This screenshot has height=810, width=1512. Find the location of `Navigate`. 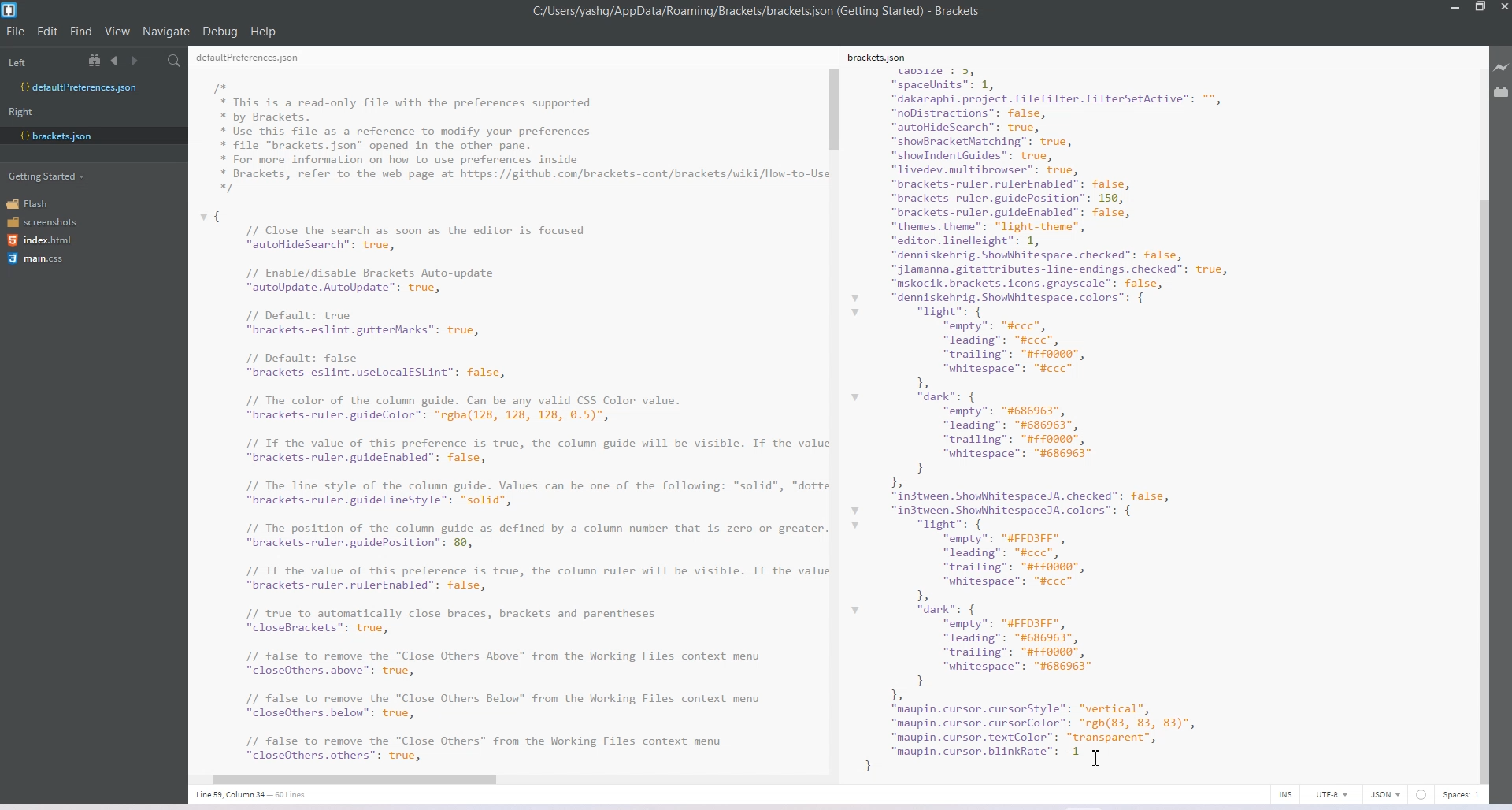

Navigate is located at coordinates (168, 32).